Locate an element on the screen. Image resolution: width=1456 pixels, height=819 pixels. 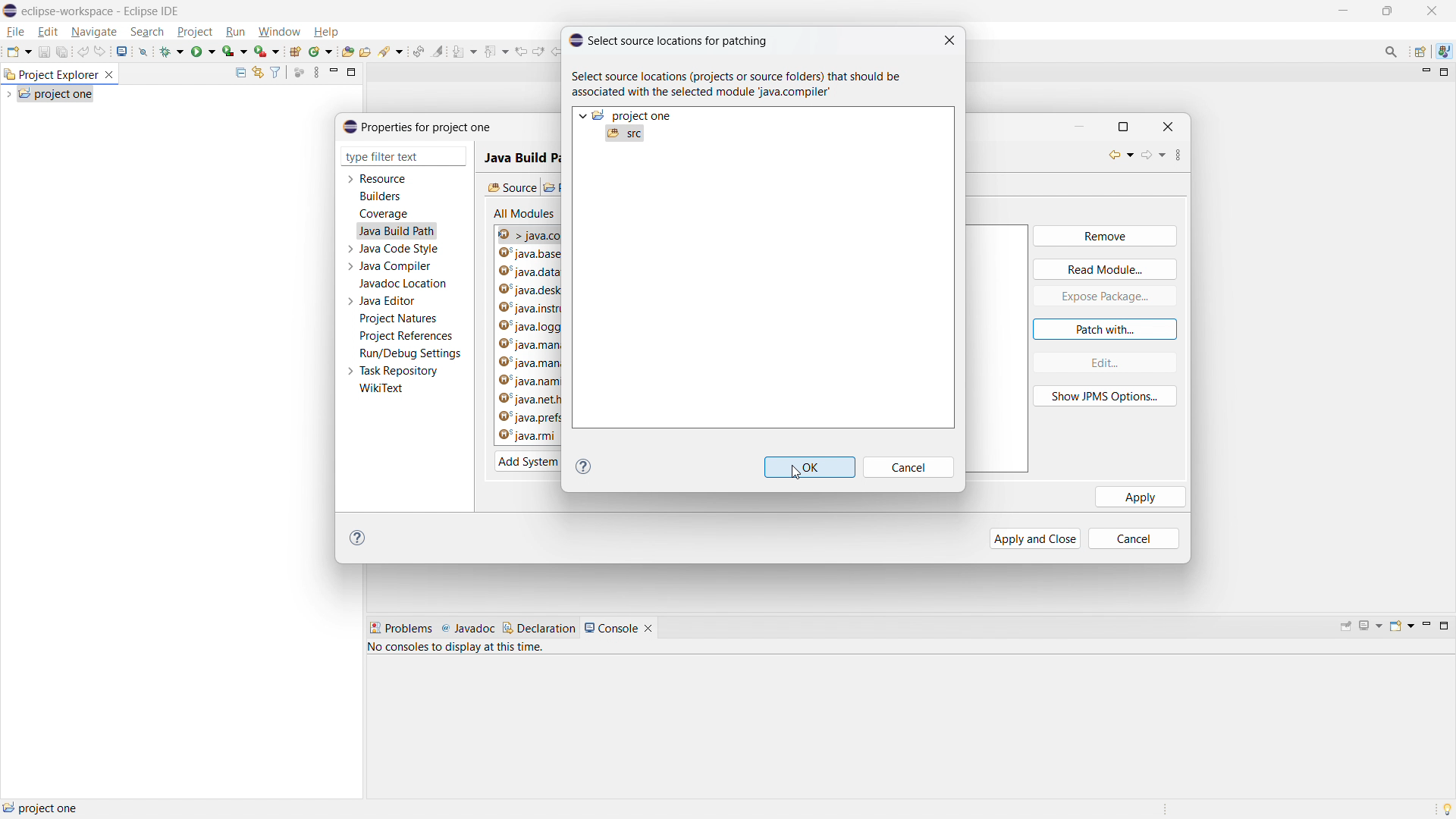
access commands and other items is located at coordinates (1392, 51).